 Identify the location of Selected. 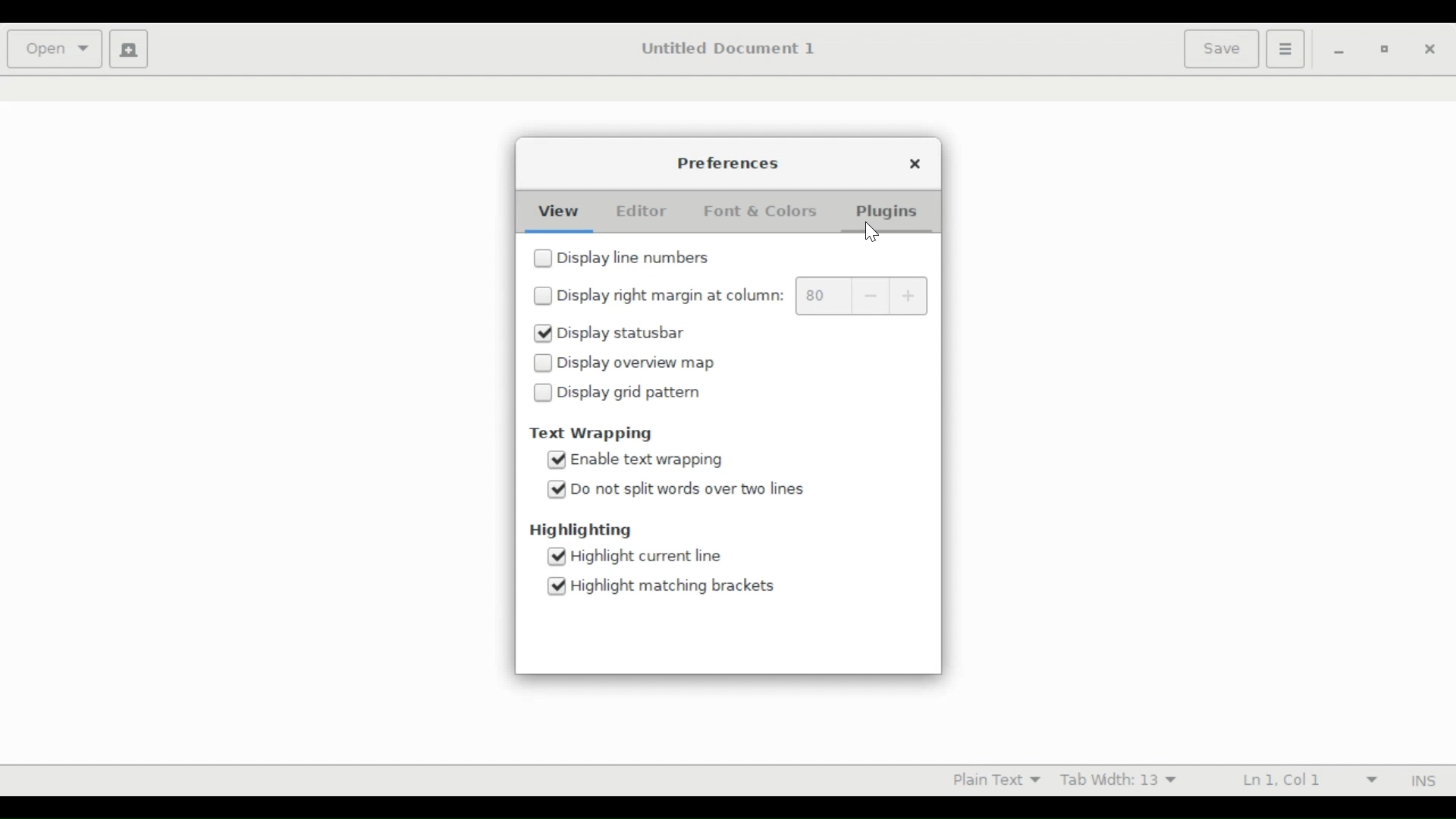
(559, 557).